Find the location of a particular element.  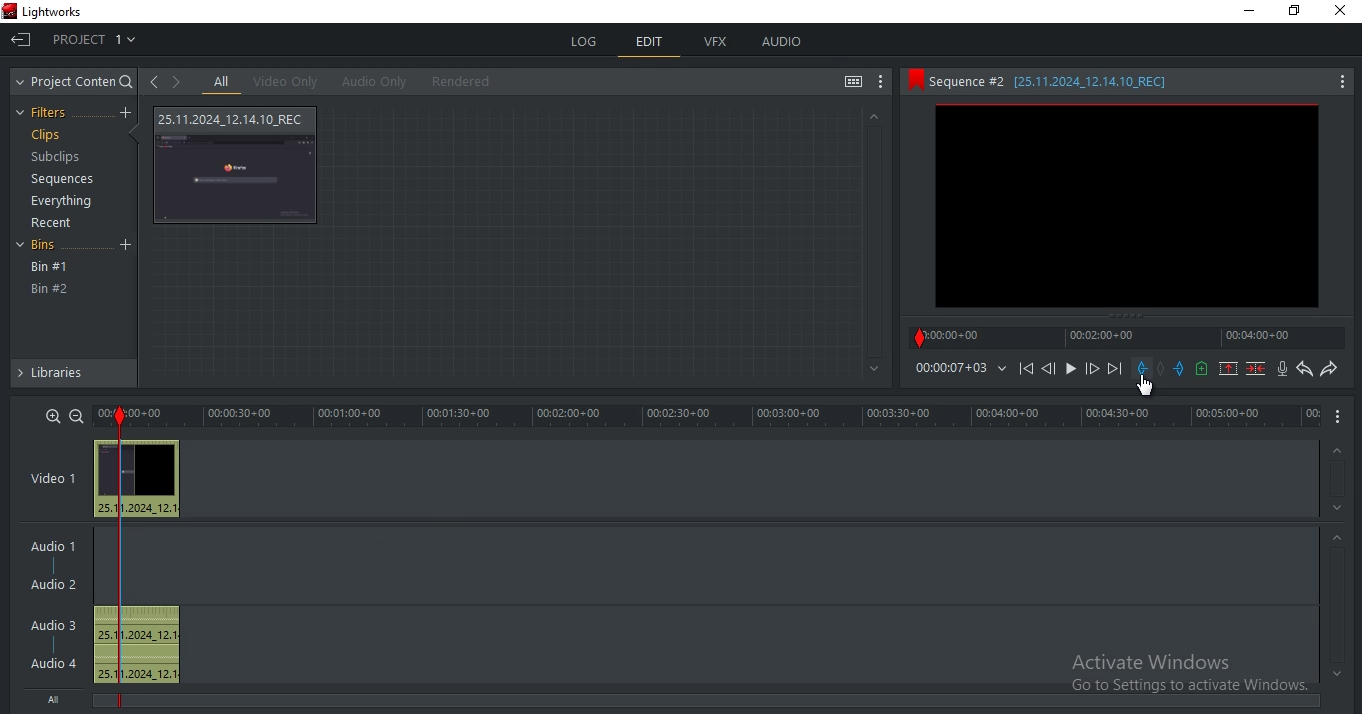

Previous is located at coordinates (1048, 368).